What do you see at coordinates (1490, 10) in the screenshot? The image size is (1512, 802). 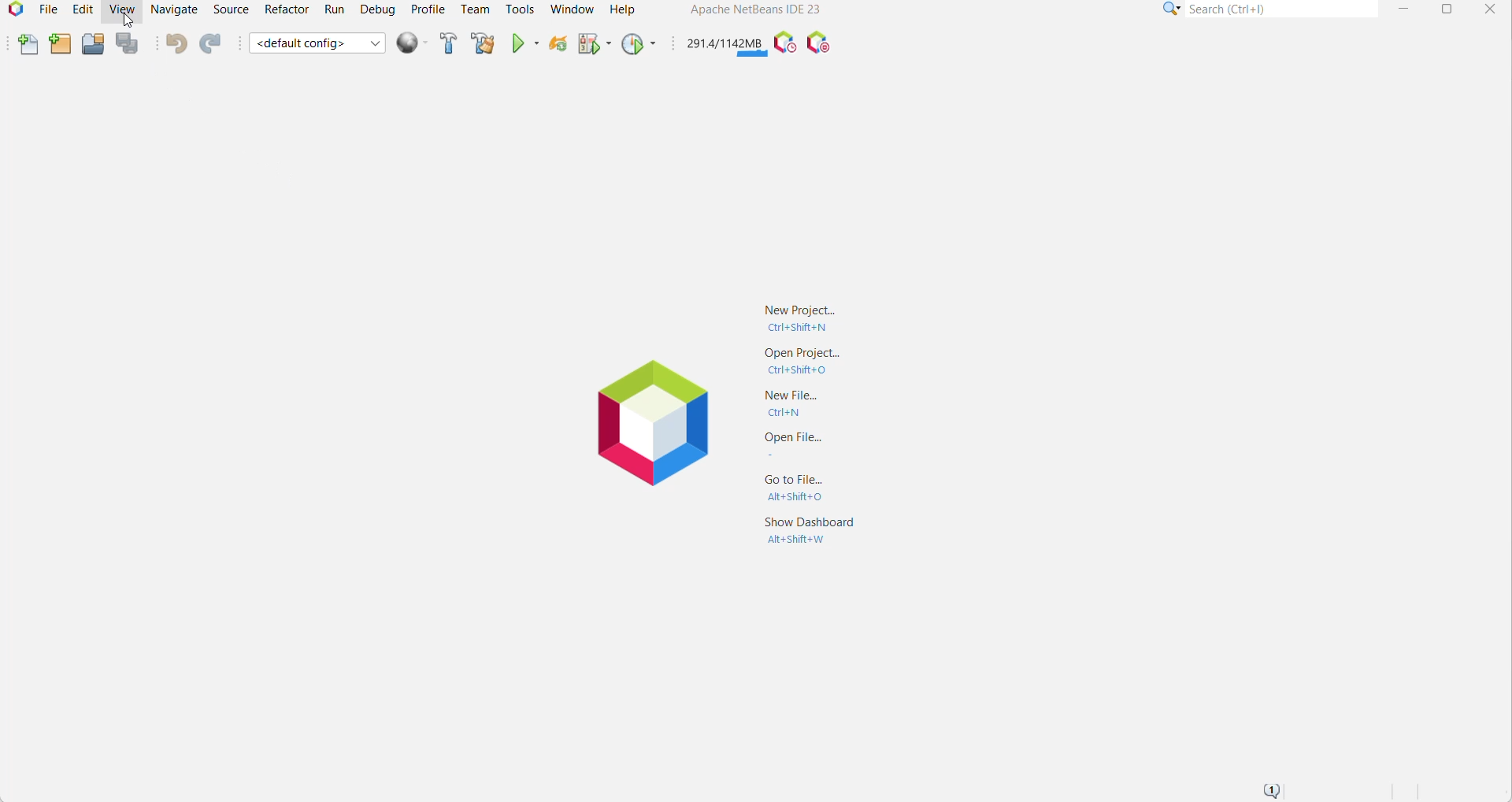 I see `Close` at bounding box center [1490, 10].